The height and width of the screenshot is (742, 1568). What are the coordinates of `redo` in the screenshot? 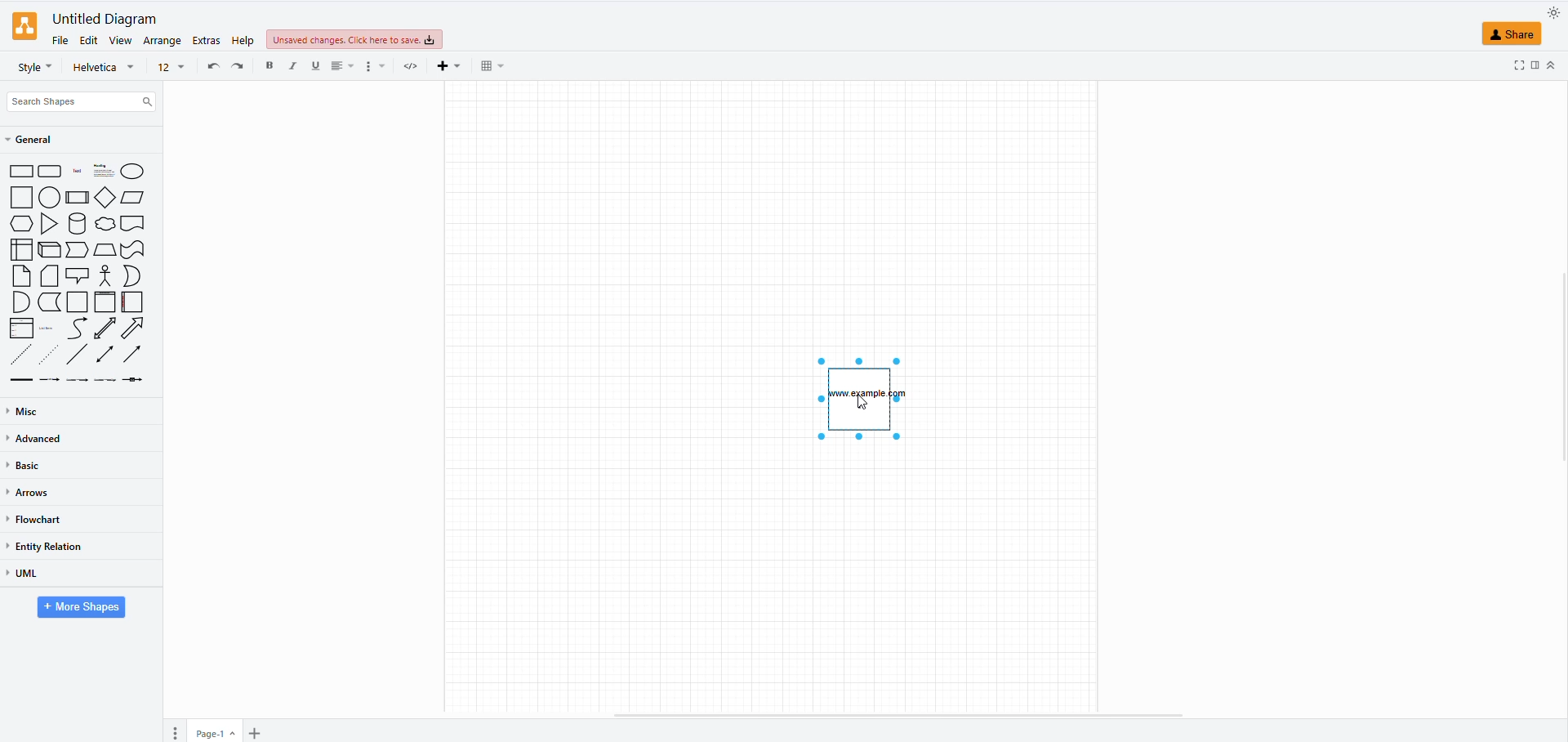 It's located at (242, 69).